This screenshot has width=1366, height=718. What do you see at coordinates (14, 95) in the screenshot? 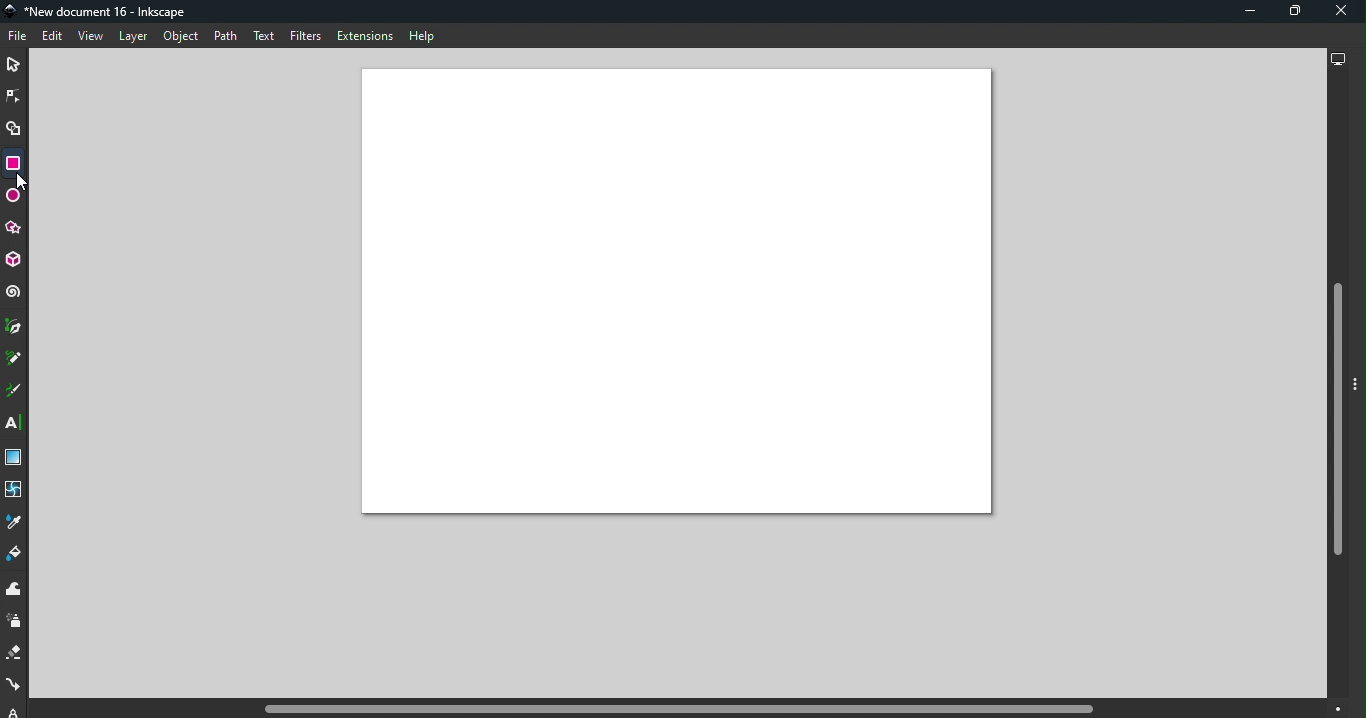
I see `Node tool` at bounding box center [14, 95].